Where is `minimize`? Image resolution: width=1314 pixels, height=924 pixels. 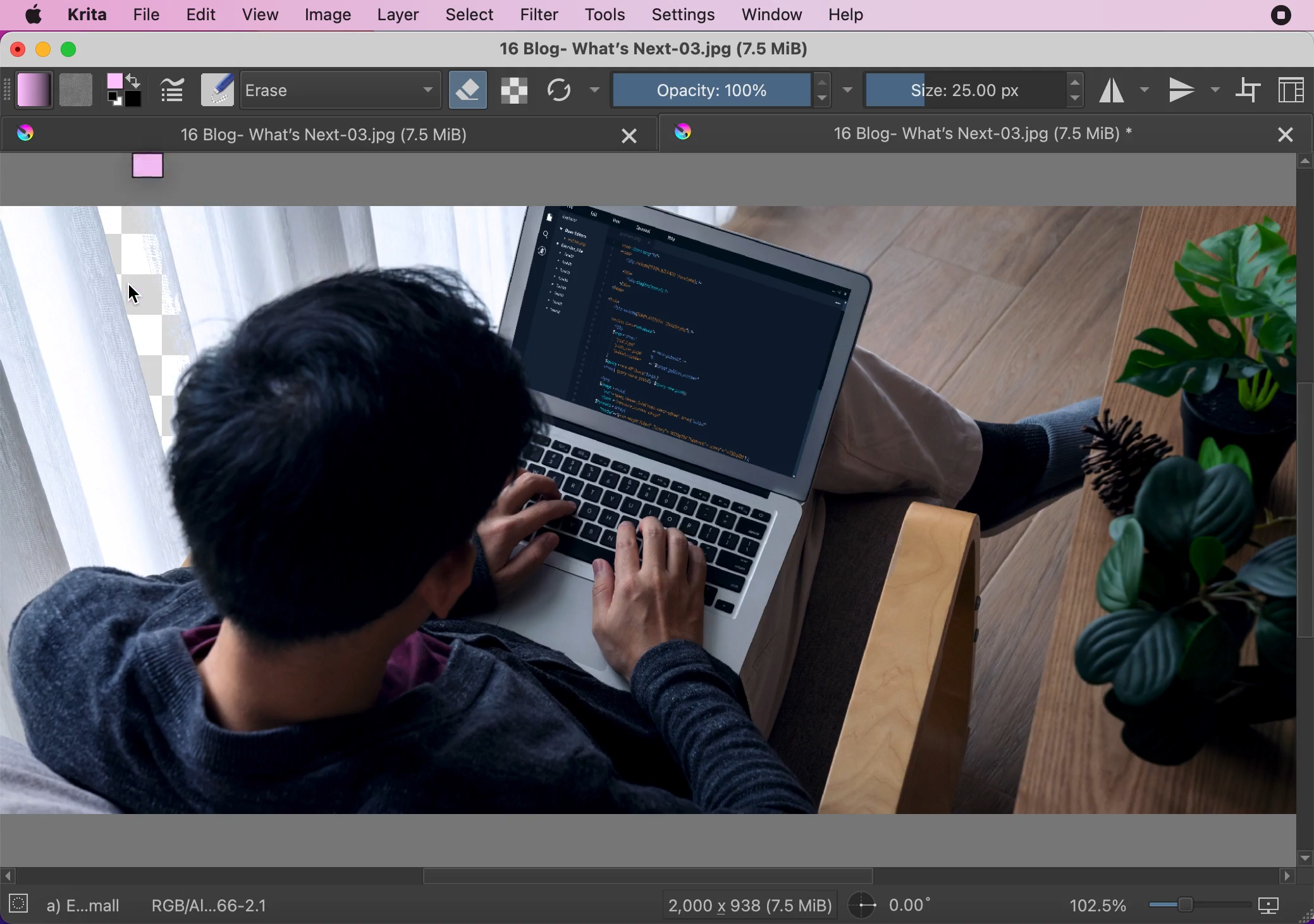 minimize is located at coordinates (43, 51).